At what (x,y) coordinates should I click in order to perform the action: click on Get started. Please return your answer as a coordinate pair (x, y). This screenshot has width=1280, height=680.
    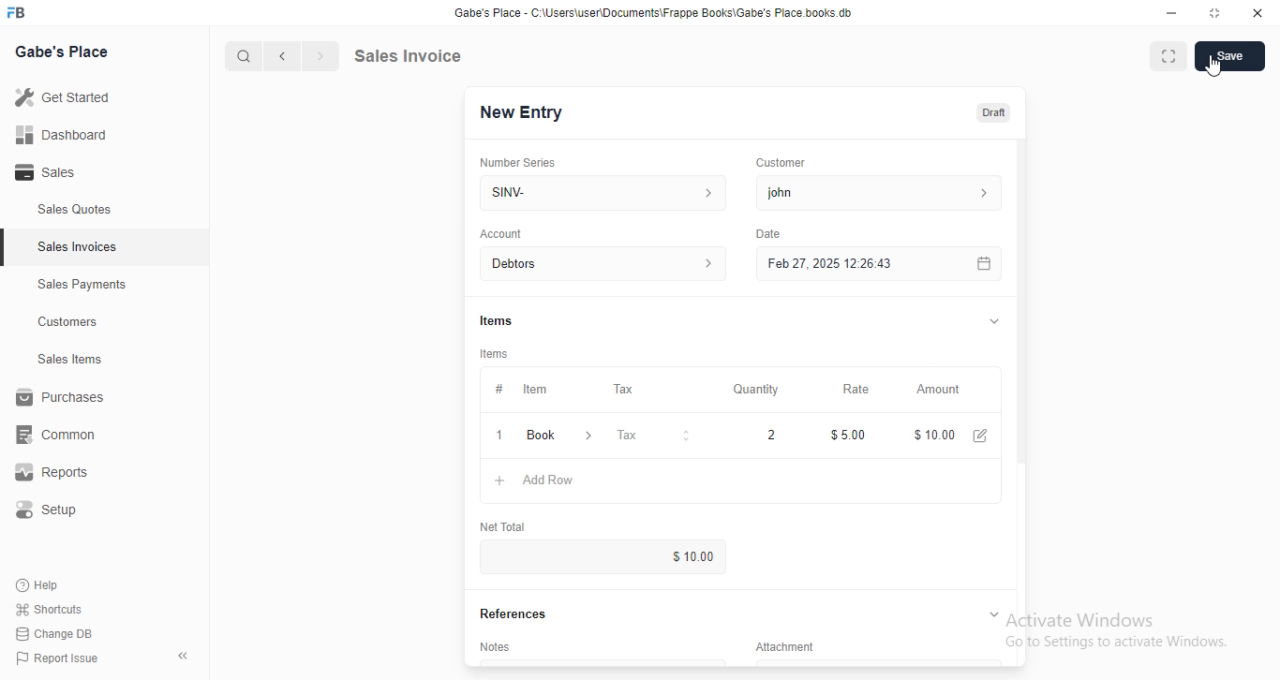
    Looking at the image, I should click on (65, 97).